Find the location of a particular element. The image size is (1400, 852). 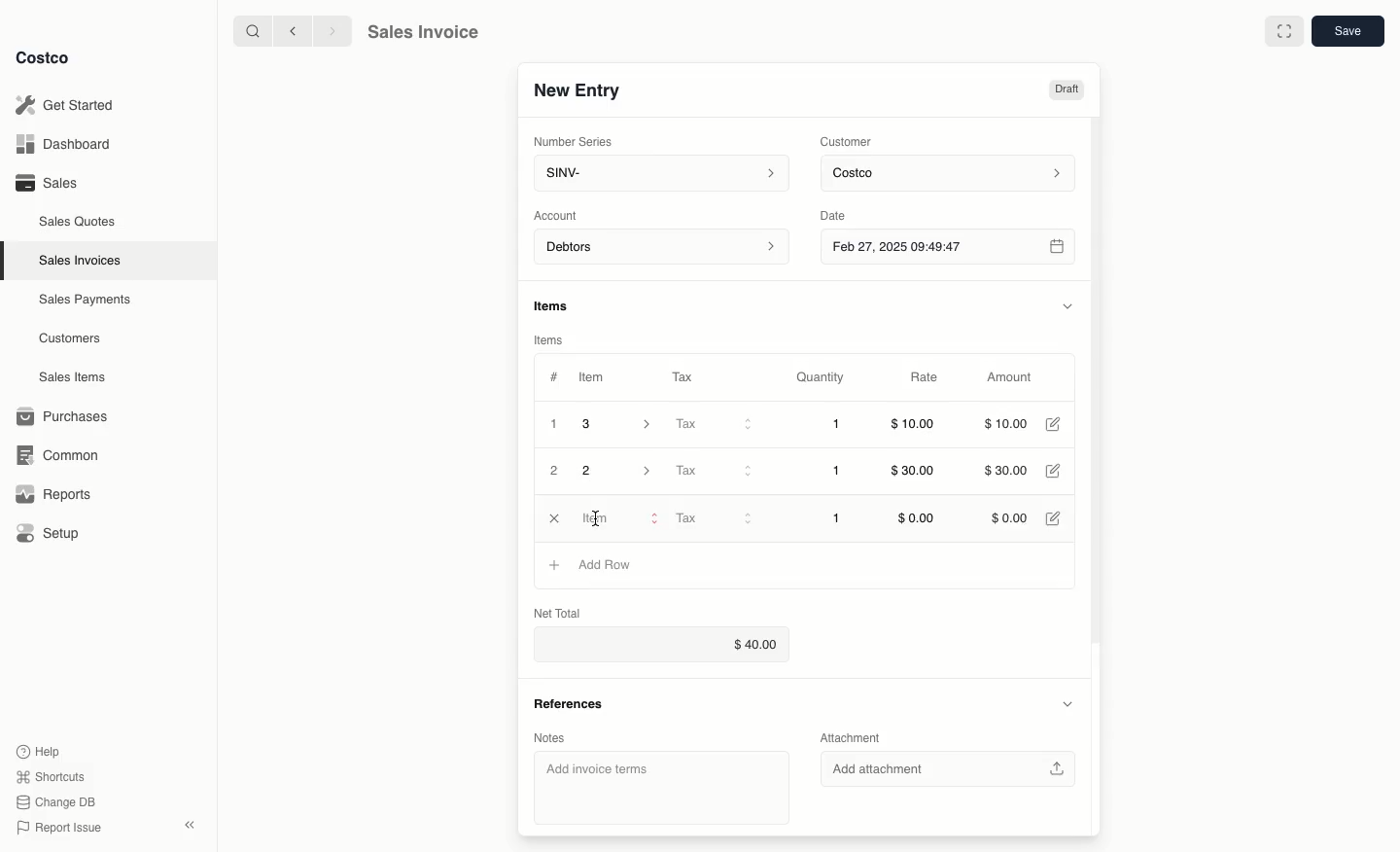

Sales Invoice is located at coordinates (422, 32).